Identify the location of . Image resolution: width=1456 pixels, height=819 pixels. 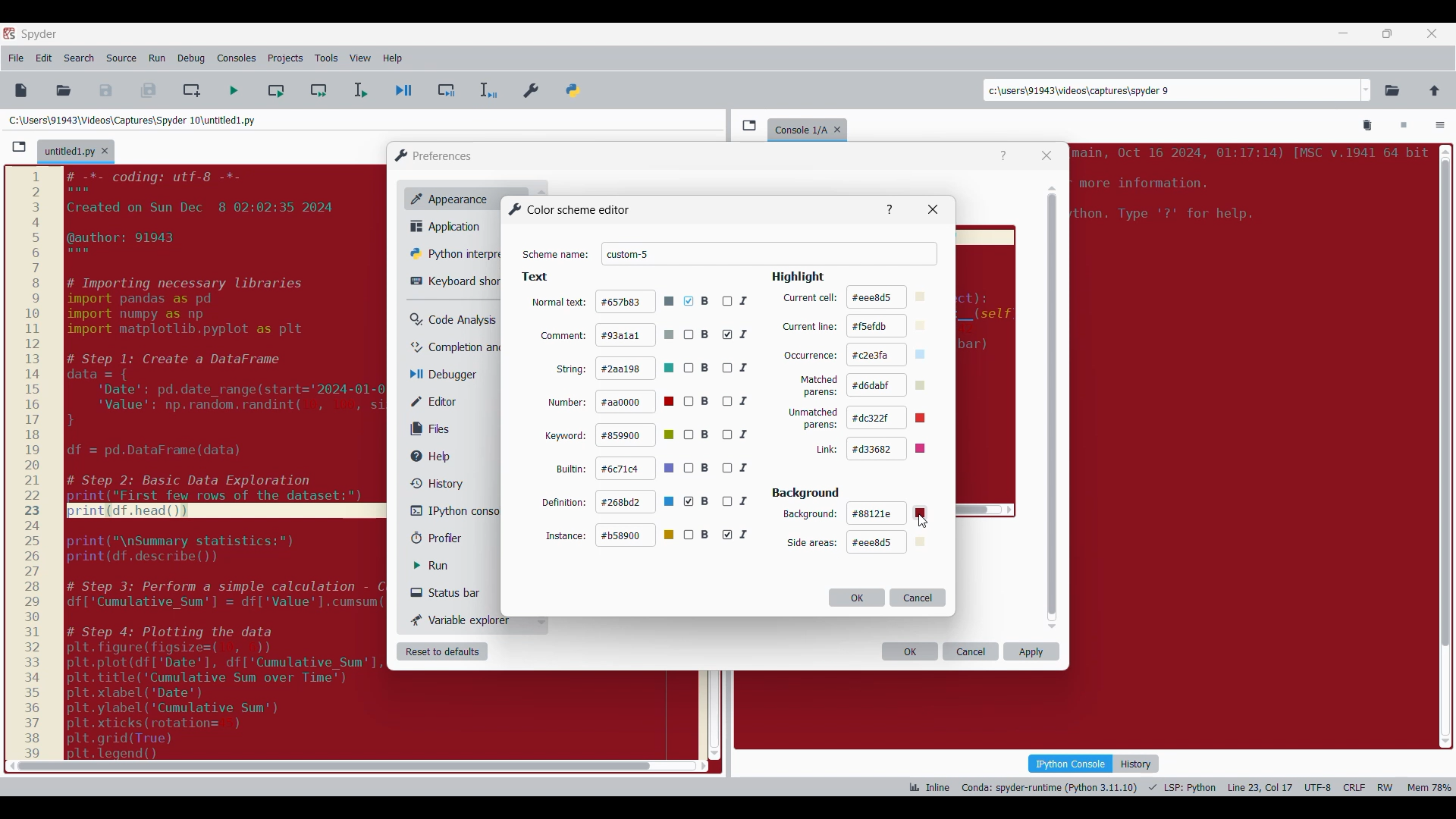
(921, 520).